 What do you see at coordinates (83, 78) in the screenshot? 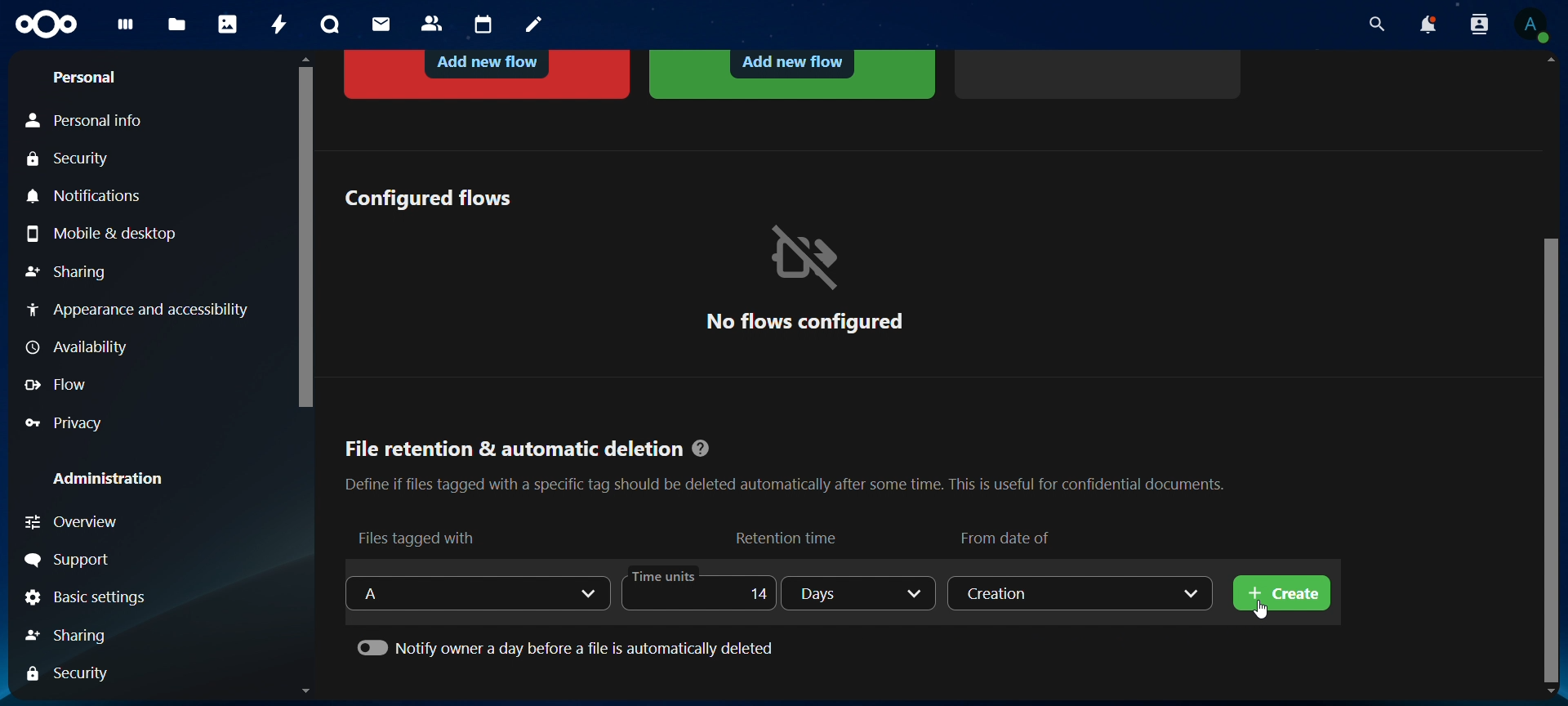
I see `personal` at bounding box center [83, 78].